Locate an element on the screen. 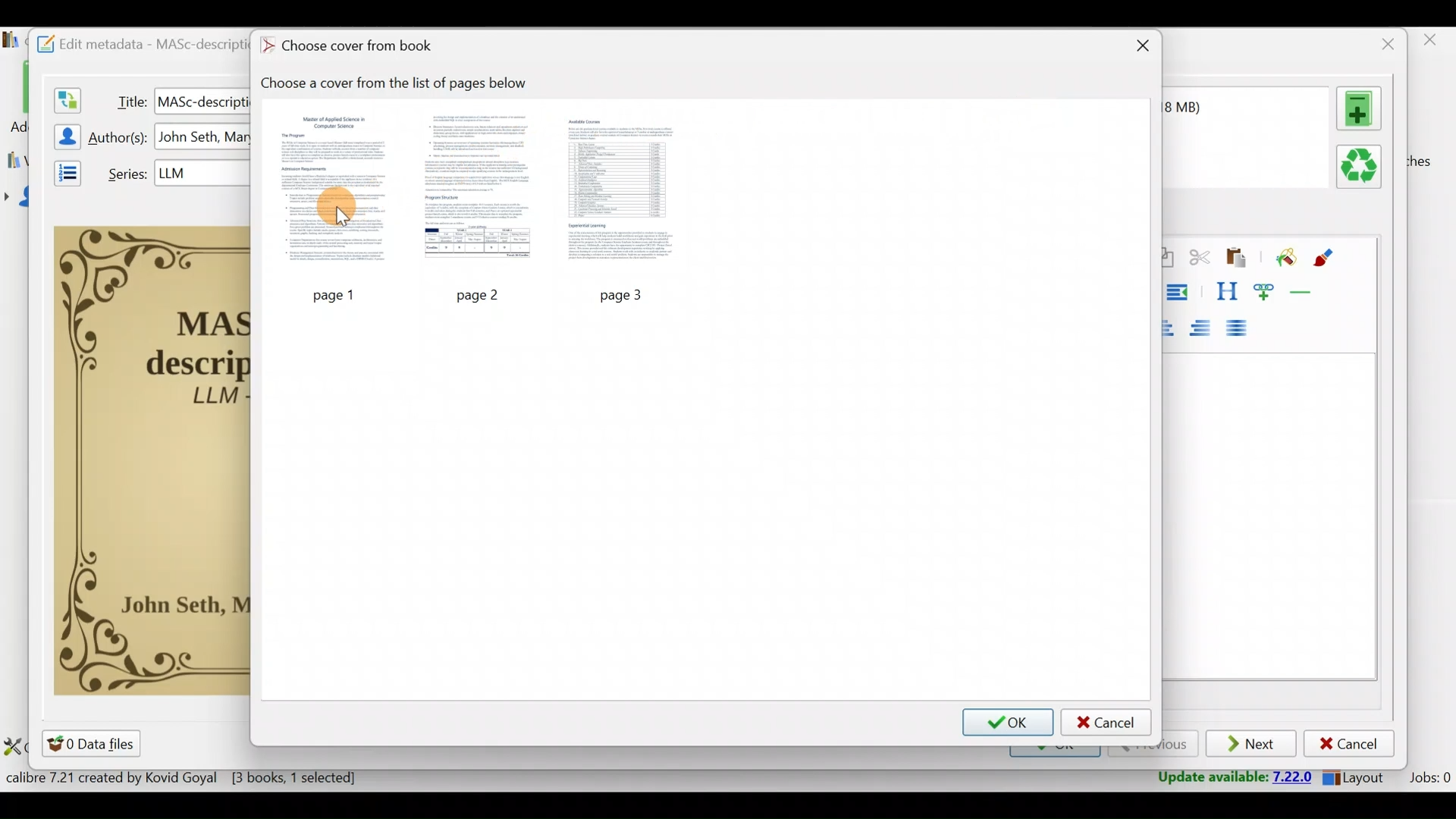 This screenshot has height=819, width=1456. Style is located at coordinates (1226, 291).